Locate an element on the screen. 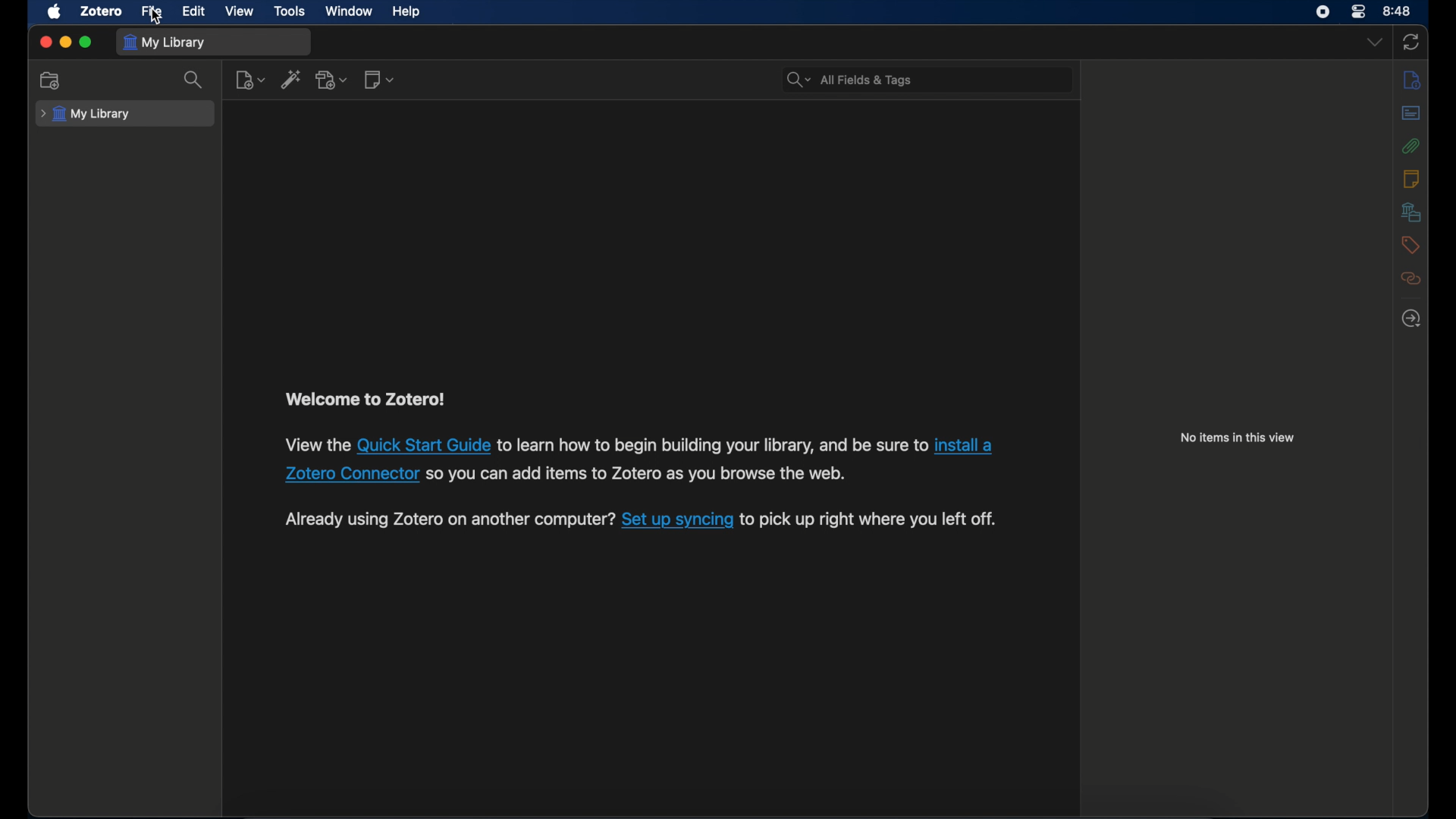 This screenshot has width=1456, height=819. screen recorder is located at coordinates (1323, 12).